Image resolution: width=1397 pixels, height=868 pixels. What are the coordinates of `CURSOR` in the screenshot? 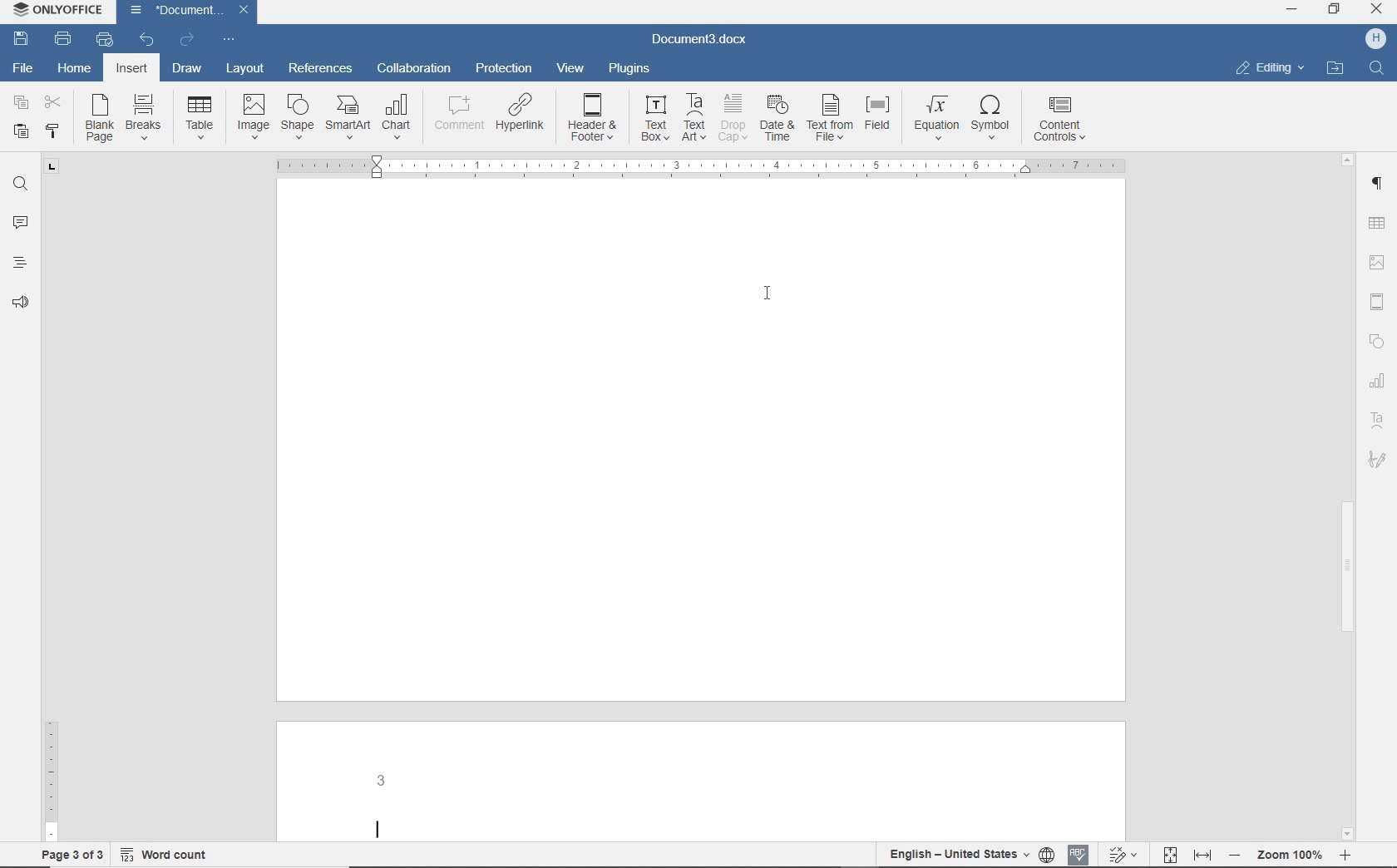 It's located at (775, 298).